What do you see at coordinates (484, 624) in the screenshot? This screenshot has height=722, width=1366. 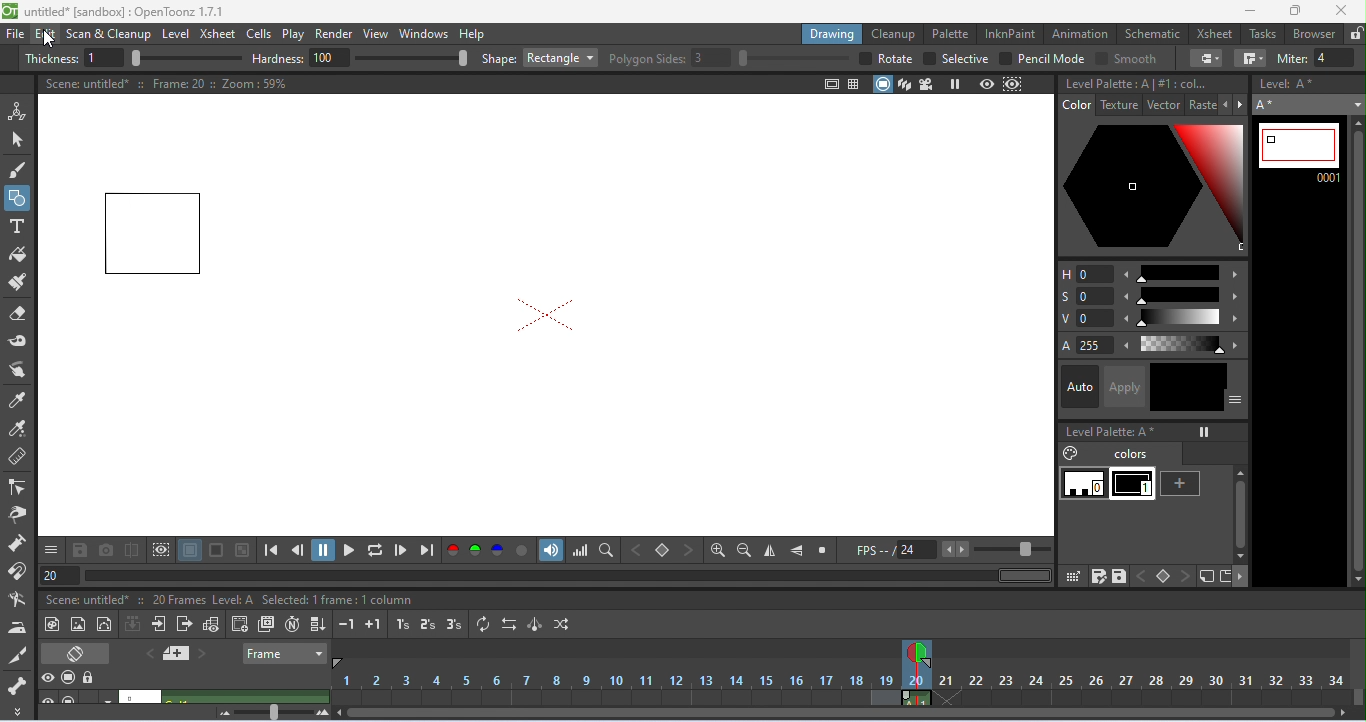 I see `repeat` at bounding box center [484, 624].